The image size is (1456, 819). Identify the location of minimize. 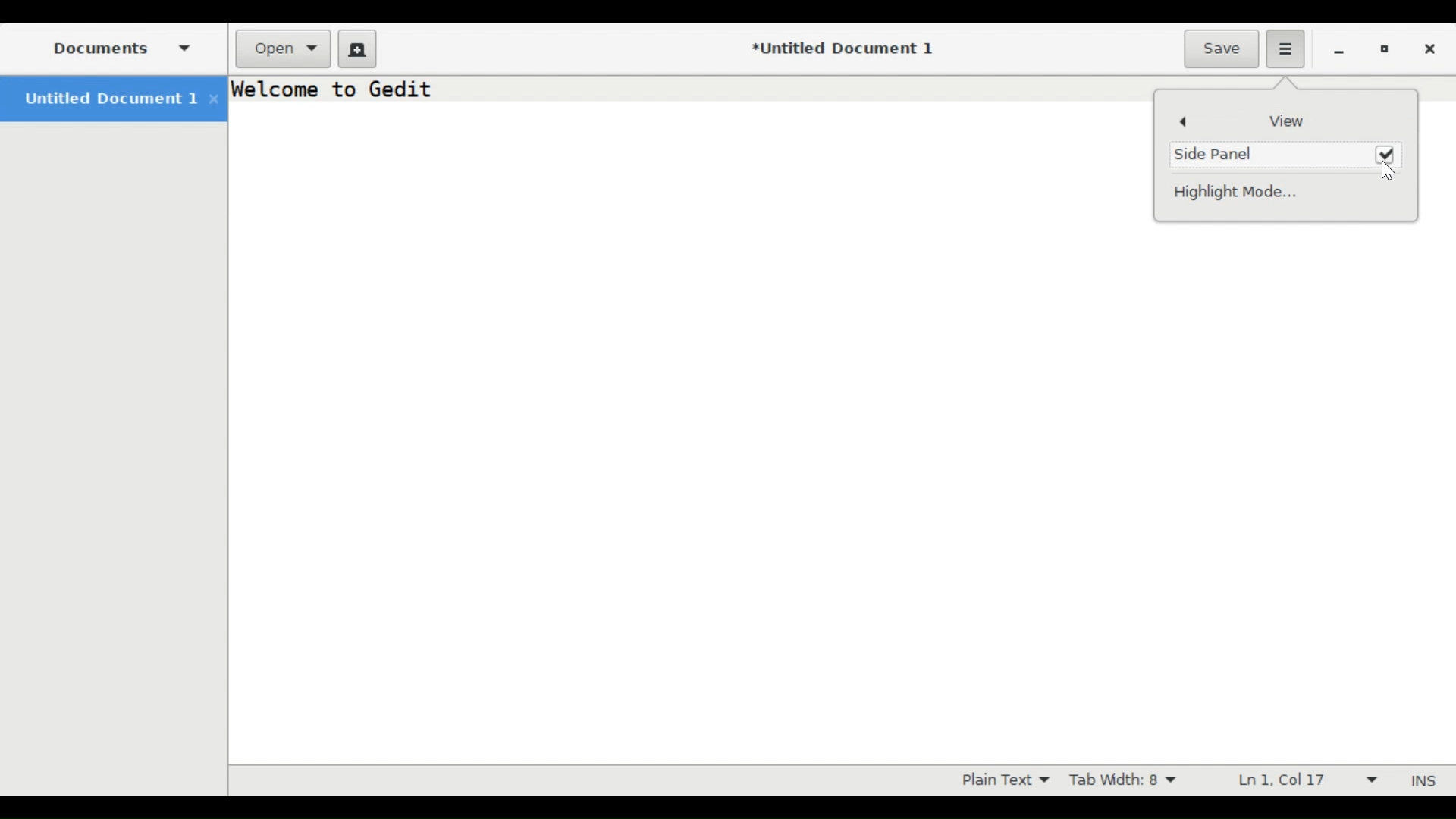
(1339, 49).